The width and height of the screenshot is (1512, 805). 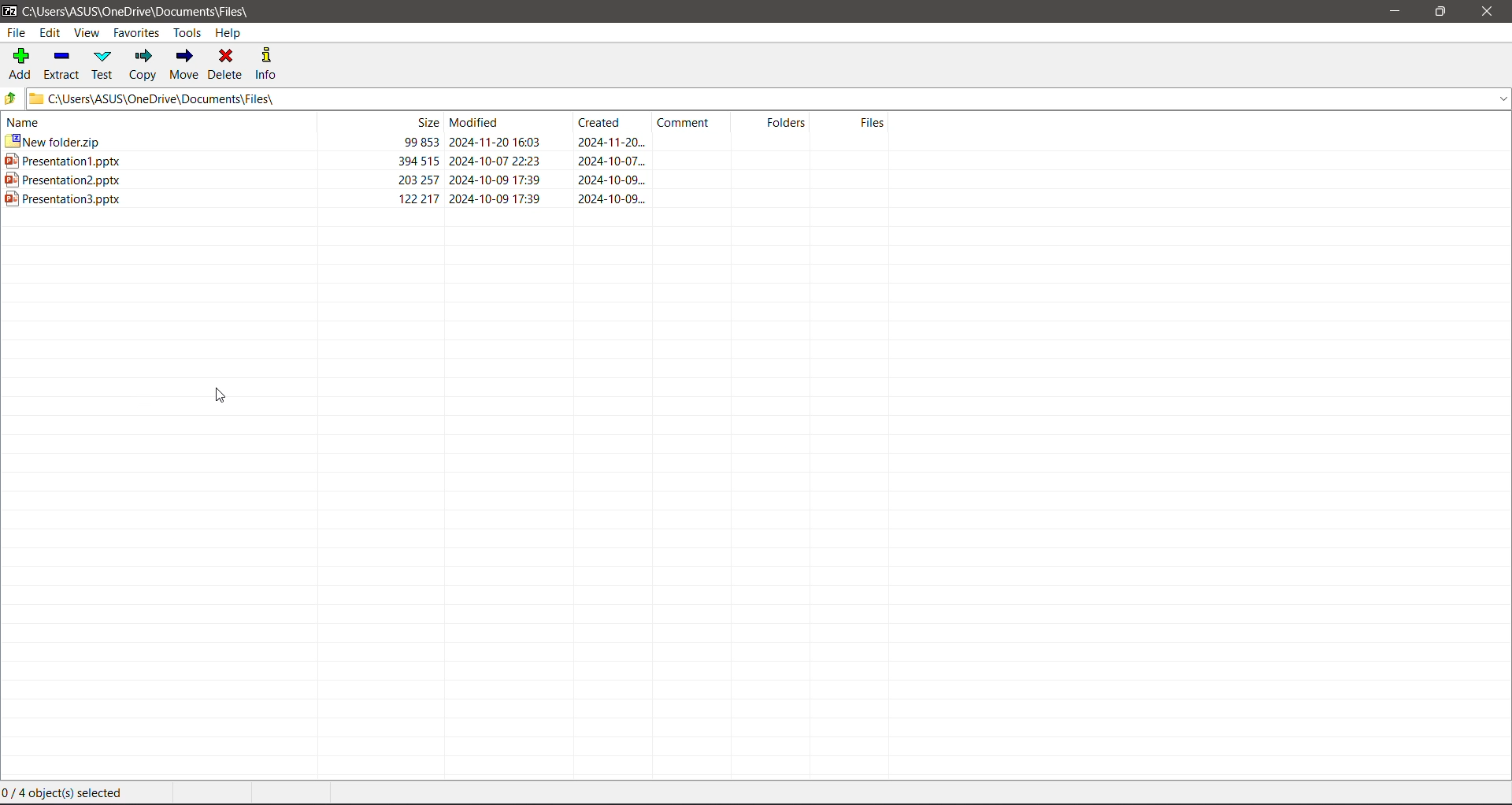 I want to click on Delete, so click(x=228, y=65).